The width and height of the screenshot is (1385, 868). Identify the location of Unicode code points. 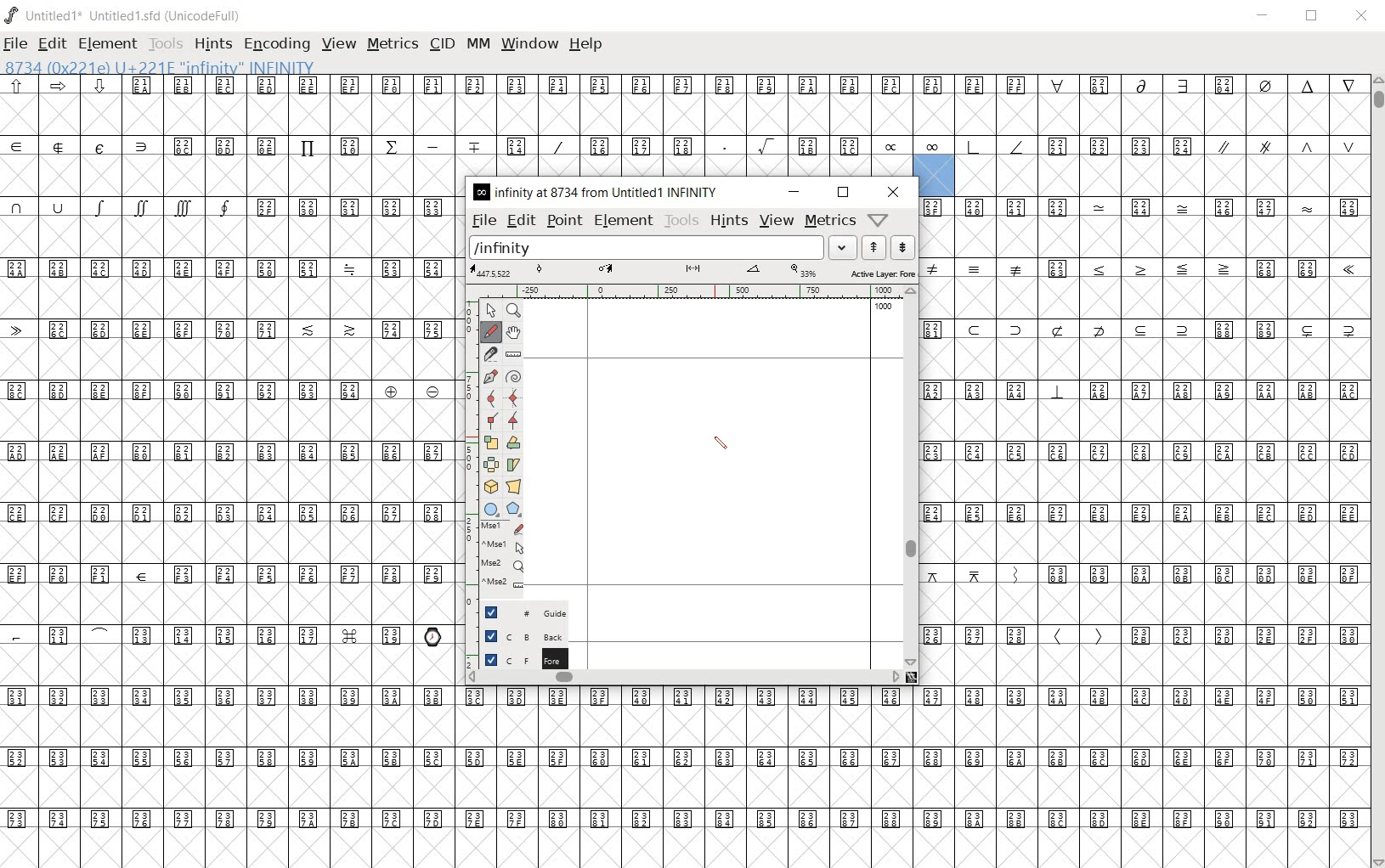
(229, 268).